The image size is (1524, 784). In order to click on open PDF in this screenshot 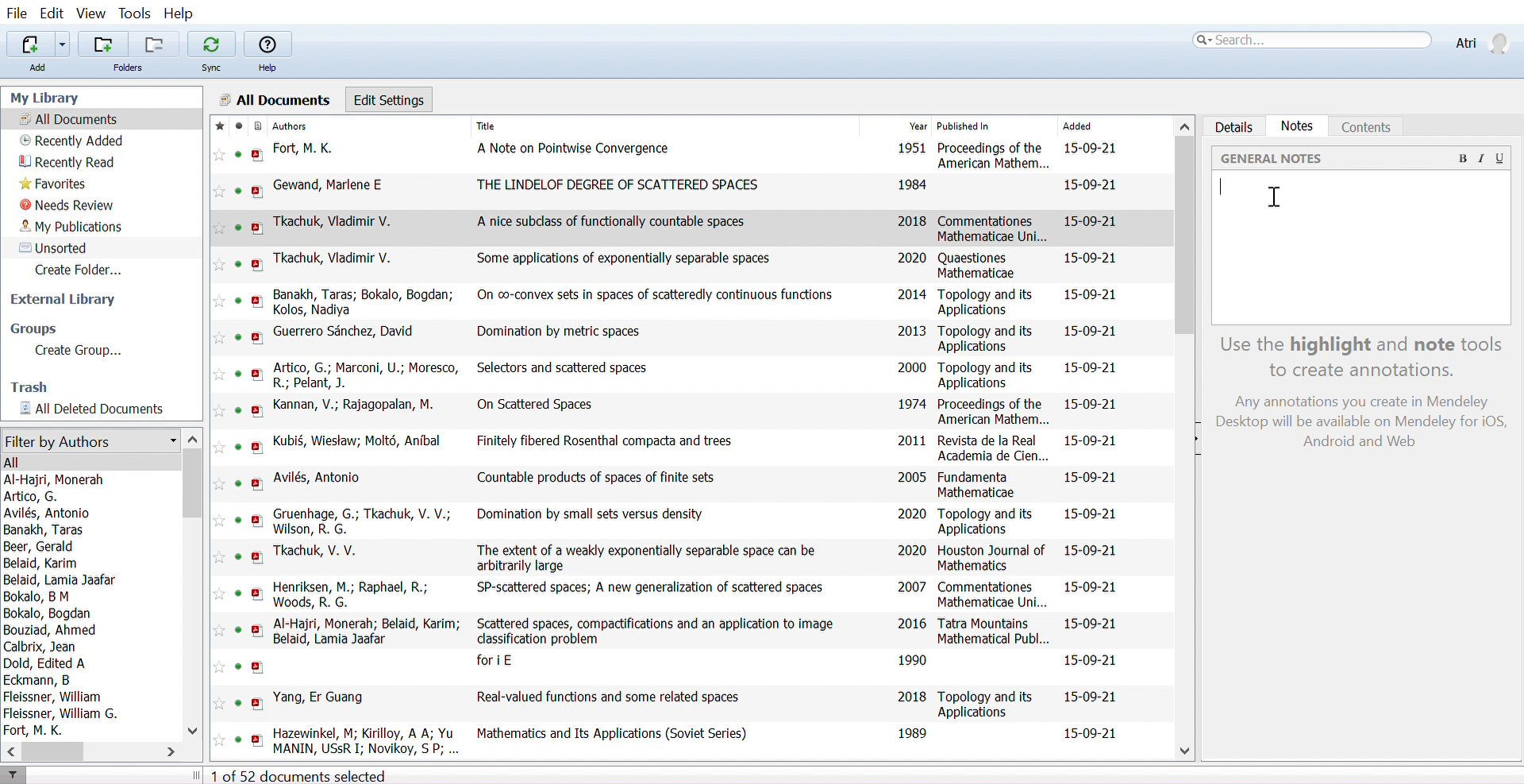, I will do `click(257, 192)`.